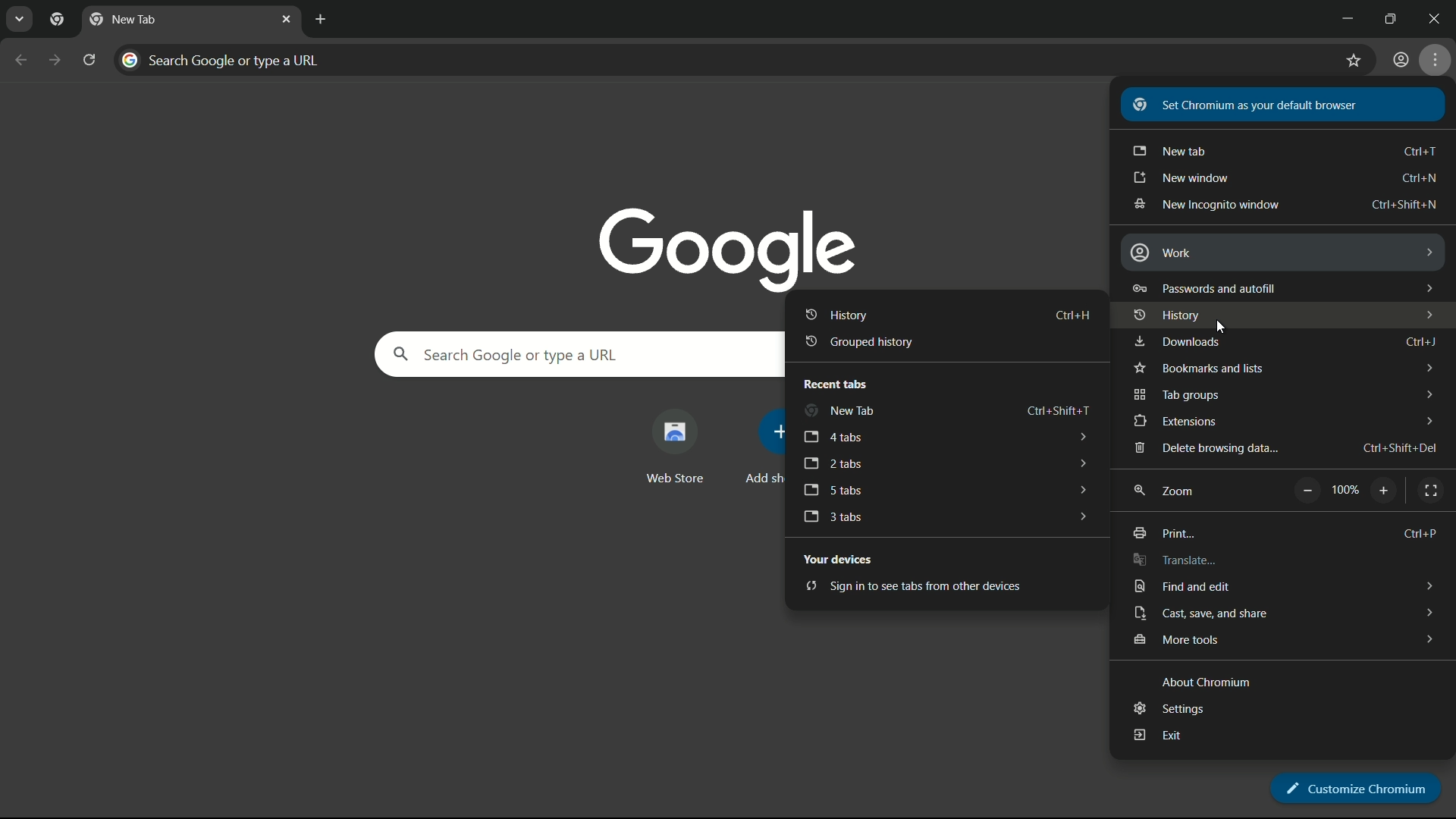  I want to click on user profile, so click(1397, 59).